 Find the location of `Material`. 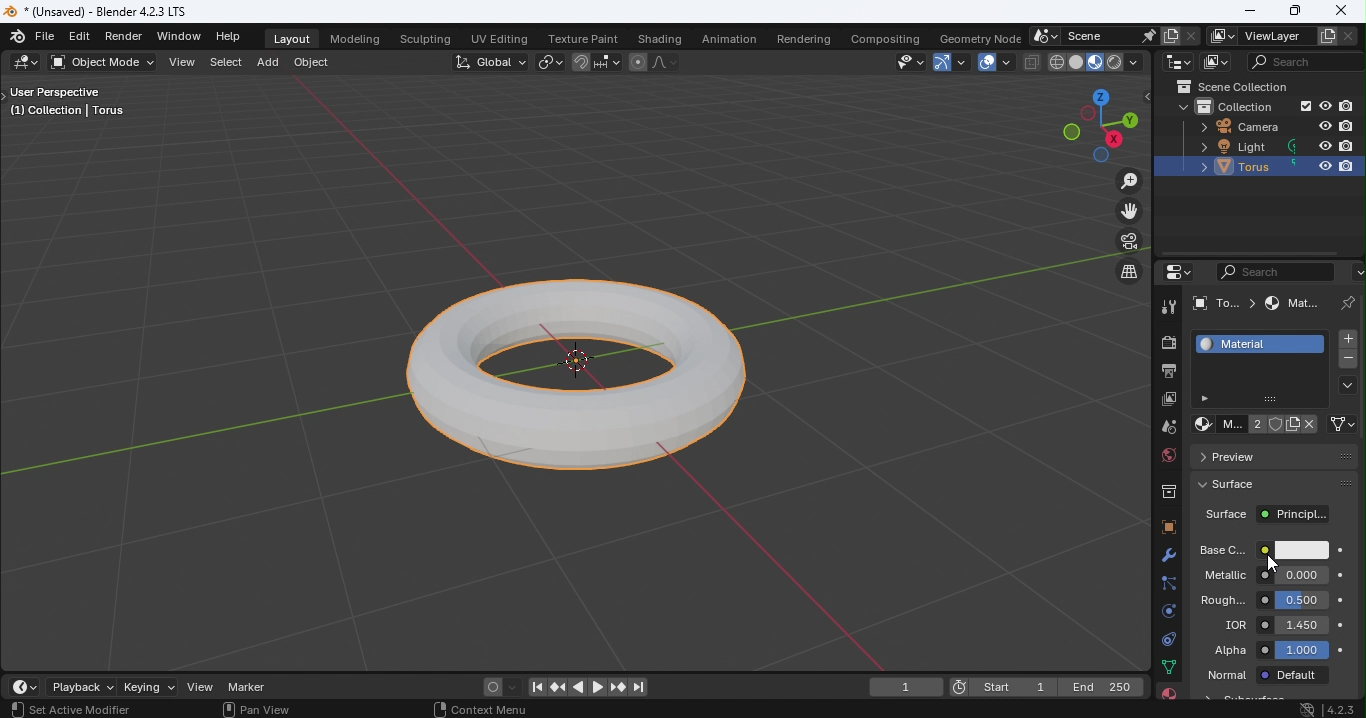

Material is located at coordinates (1239, 424).